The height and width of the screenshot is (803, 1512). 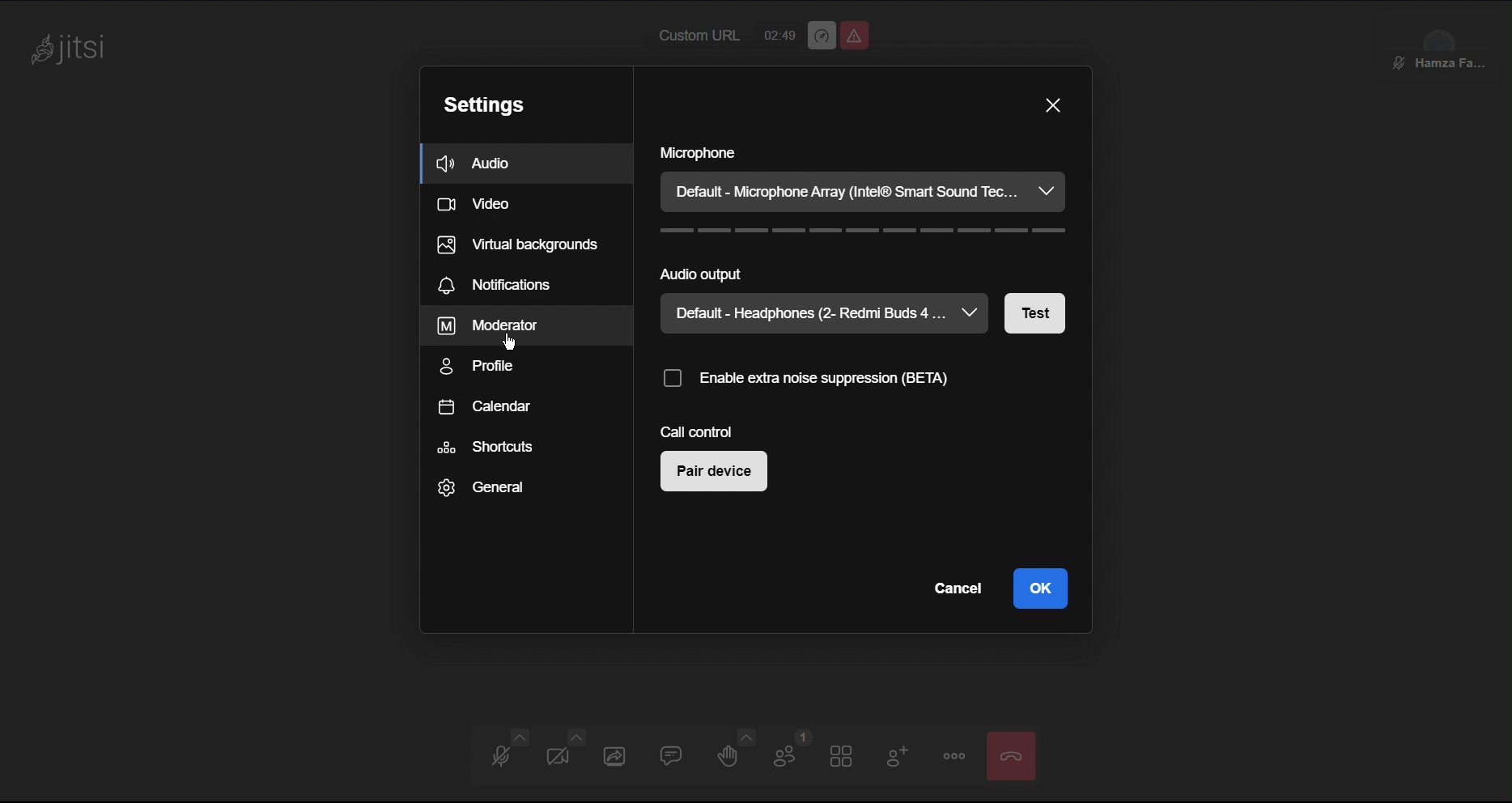 I want to click on Performance, so click(x=820, y=36).